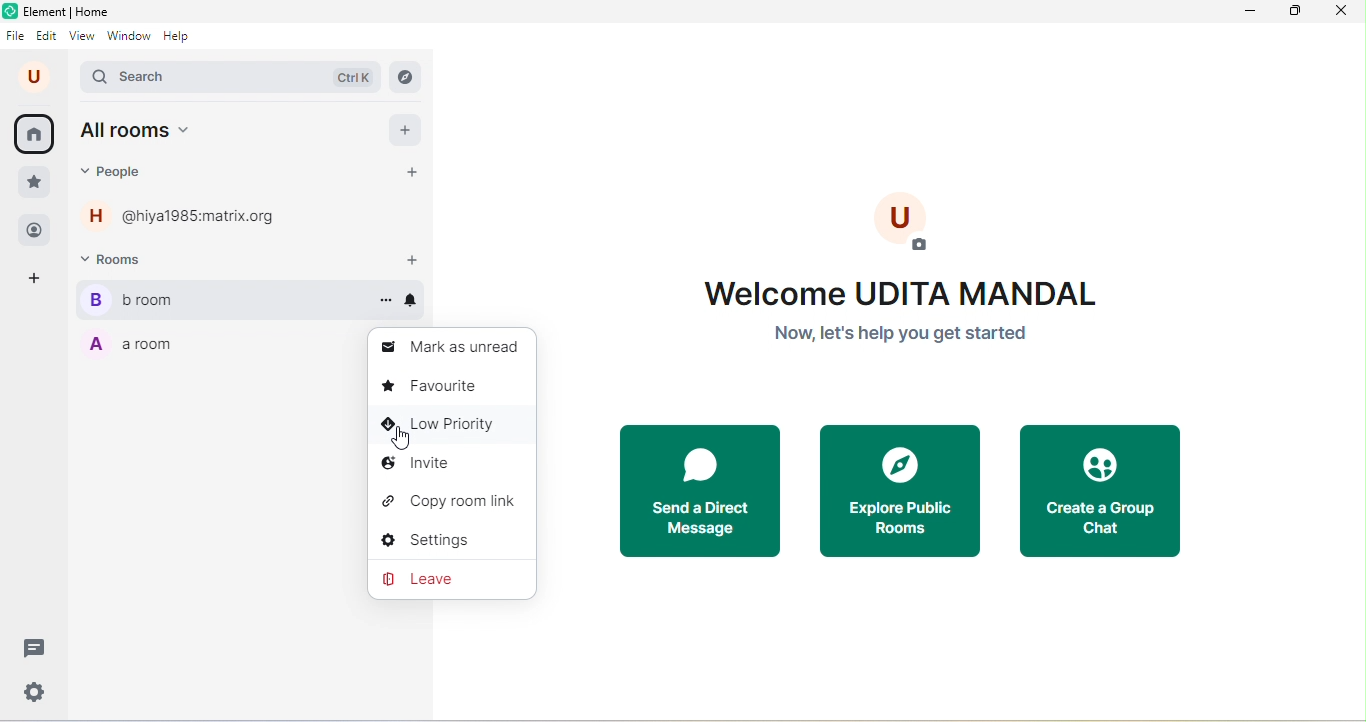  I want to click on rooms, so click(139, 258).